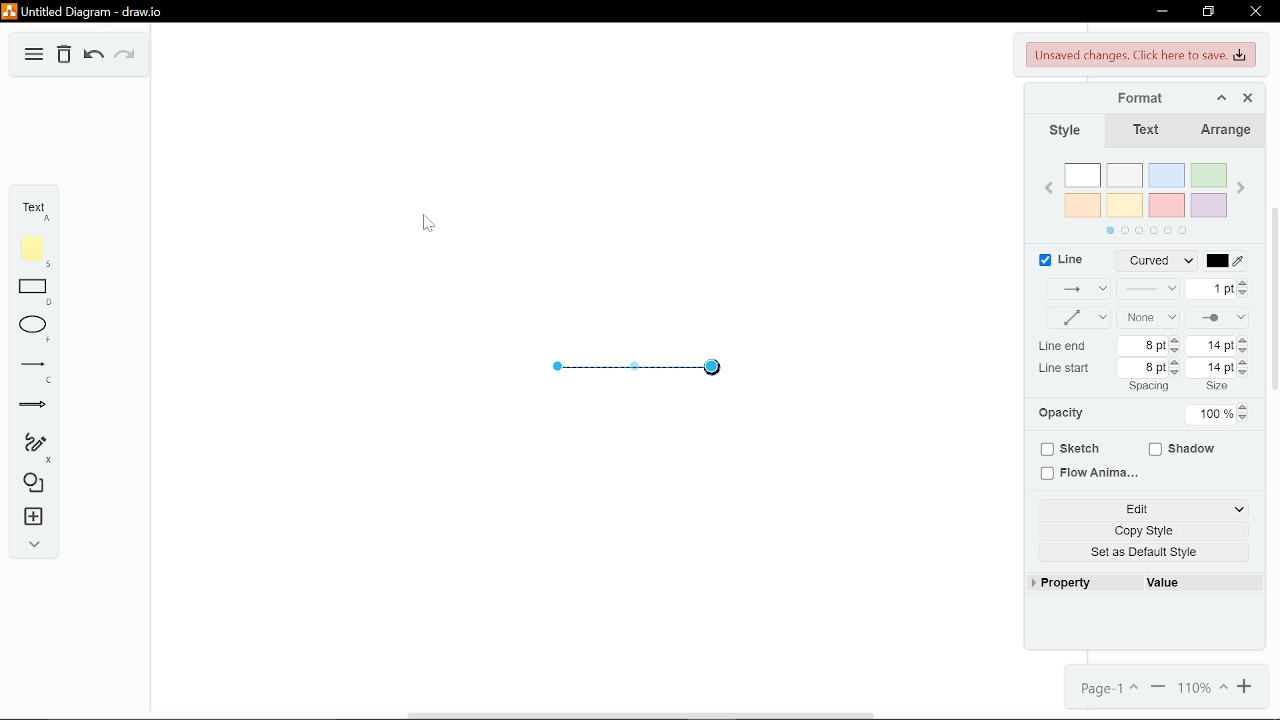 The image size is (1280, 720). Describe the element at coordinates (1146, 131) in the screenshot. I see `Text` at that location.